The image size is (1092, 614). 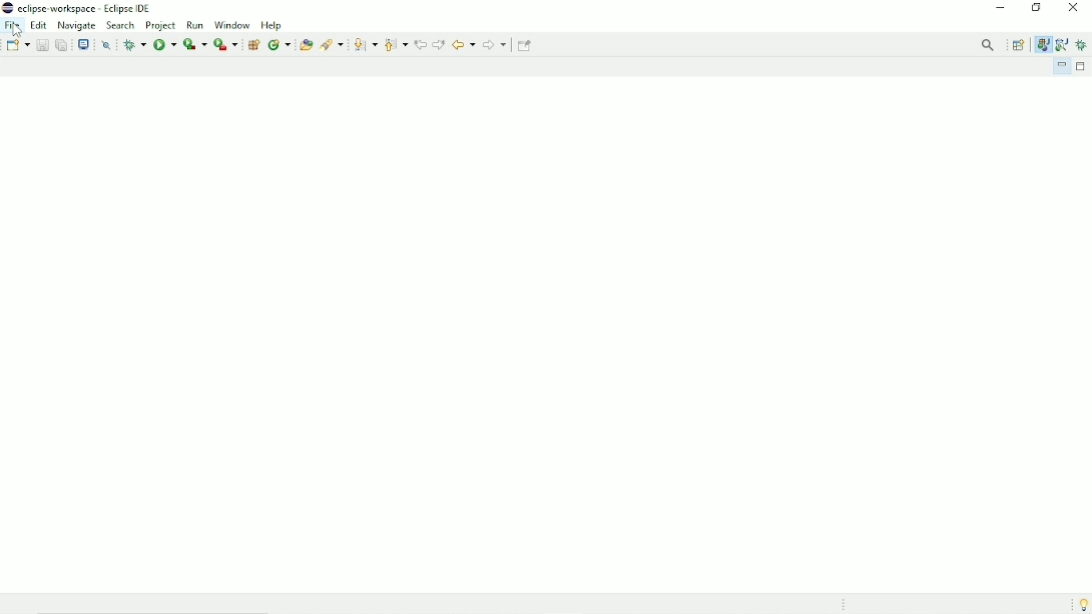 I want to click on Debug, so click(x=1083, y=46).